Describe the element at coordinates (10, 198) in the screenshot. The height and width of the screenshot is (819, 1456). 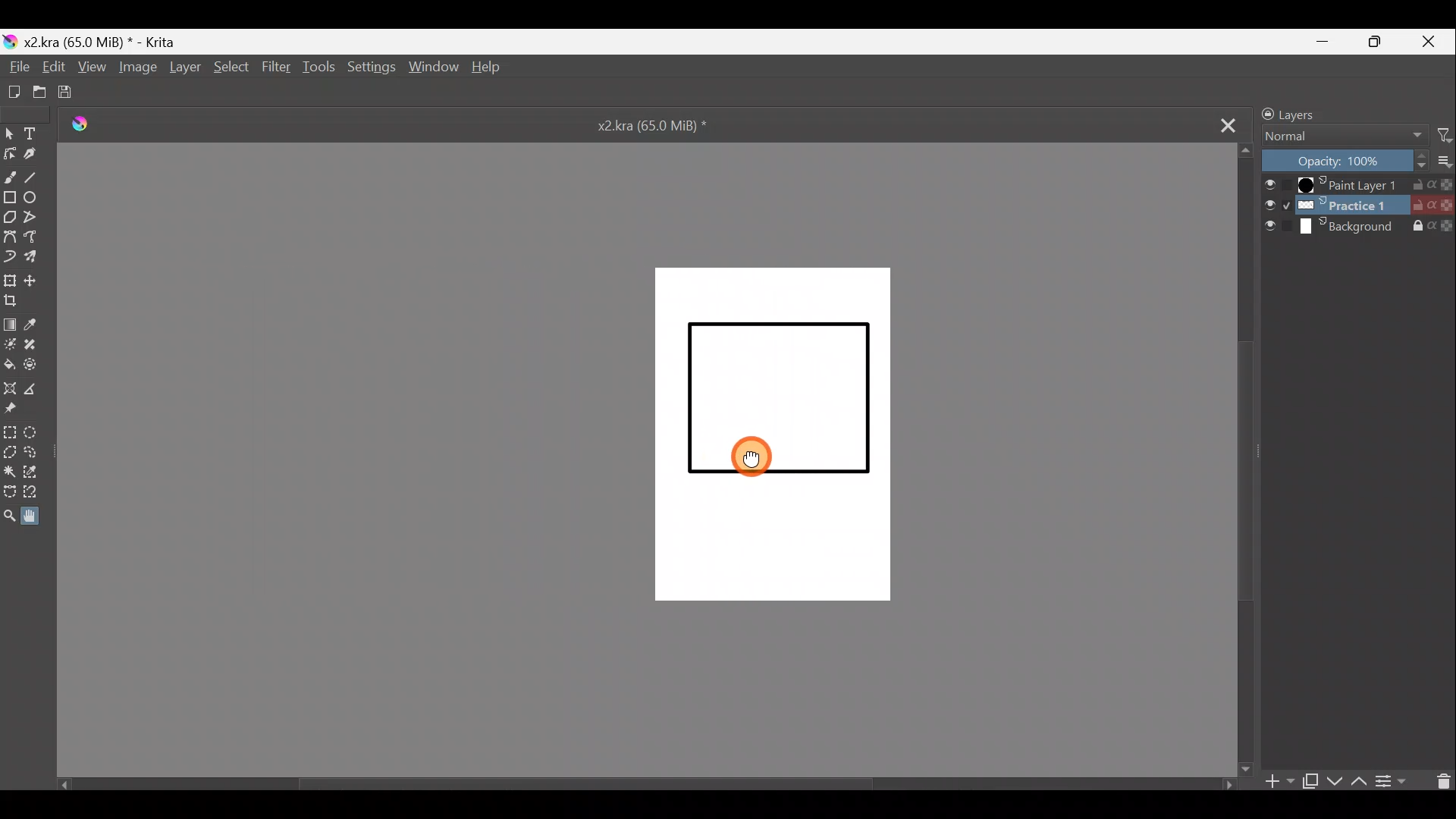
I see `Rectangle tool` at that location.